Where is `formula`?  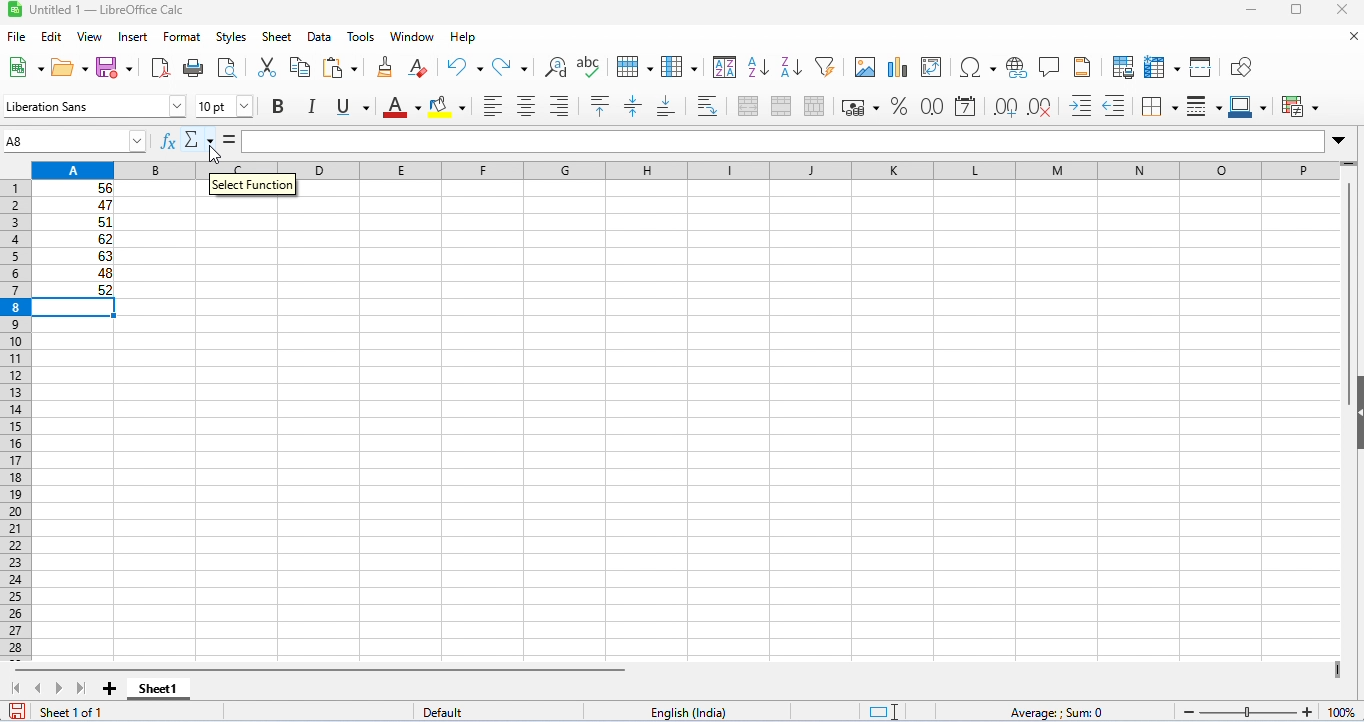 formula is located at coordinates (1055, 713).